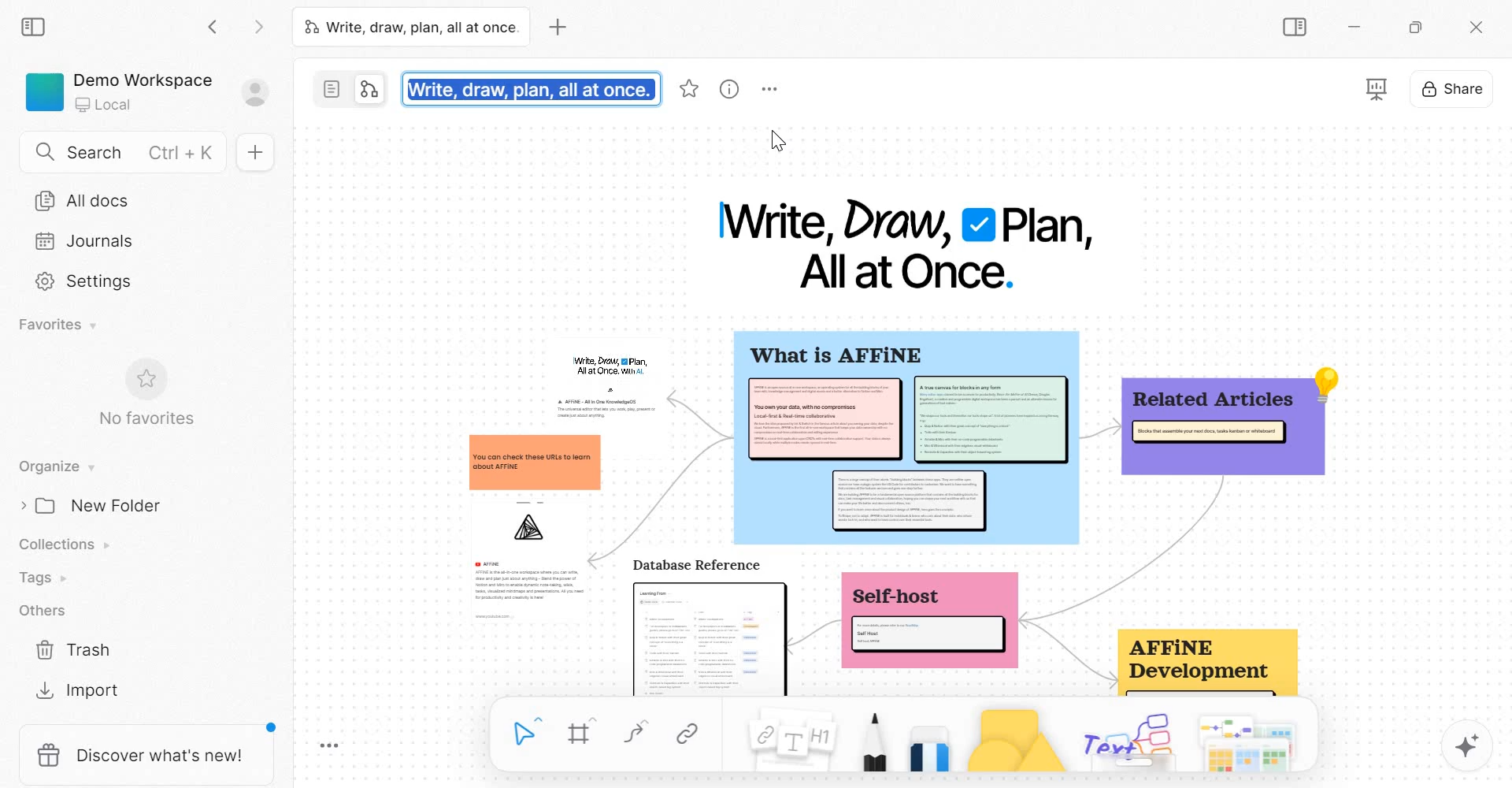 The height and width of the screenshot is (788, 1512). I want to click on Frame, so click(579, 734).